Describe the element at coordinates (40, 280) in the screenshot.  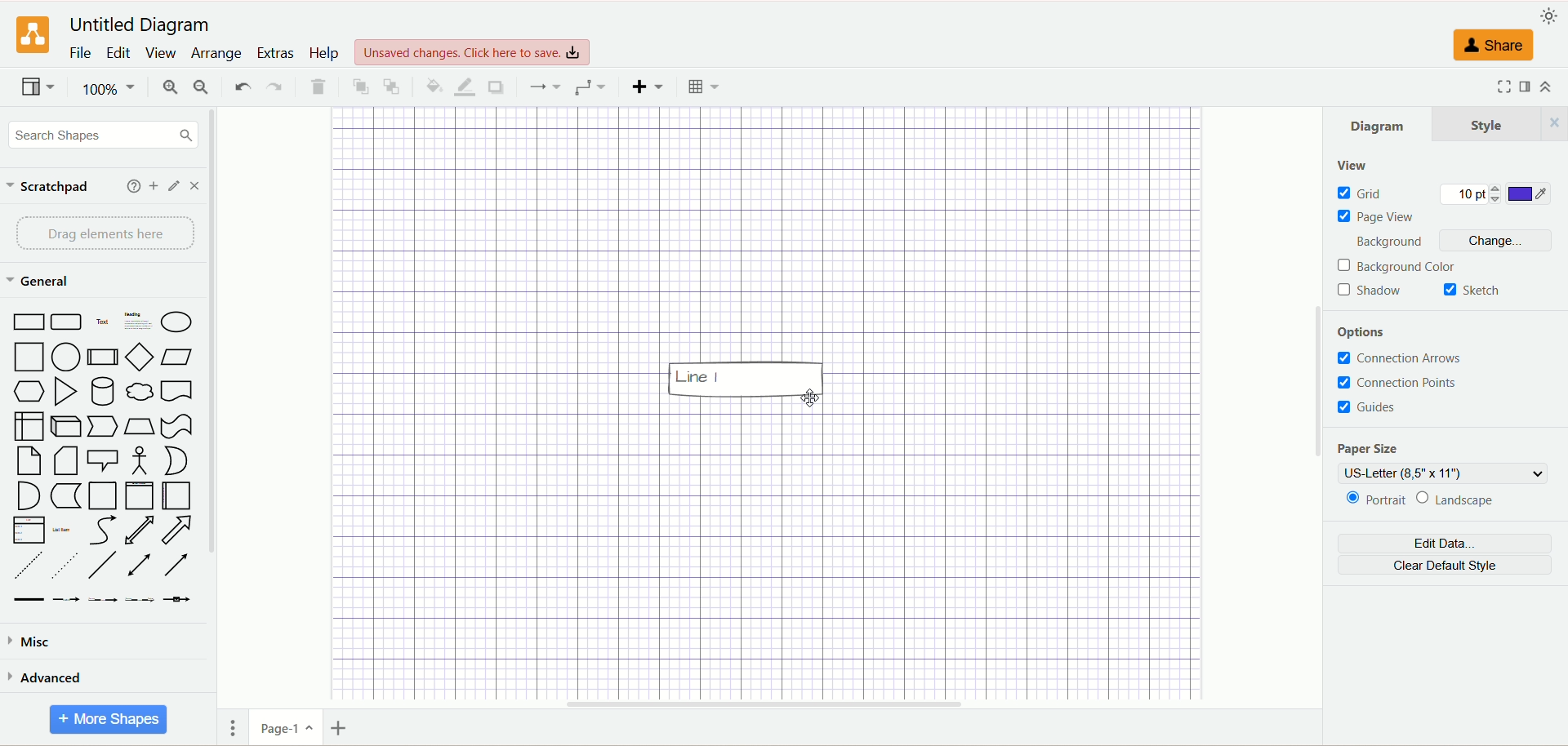
I see `general` at that location.